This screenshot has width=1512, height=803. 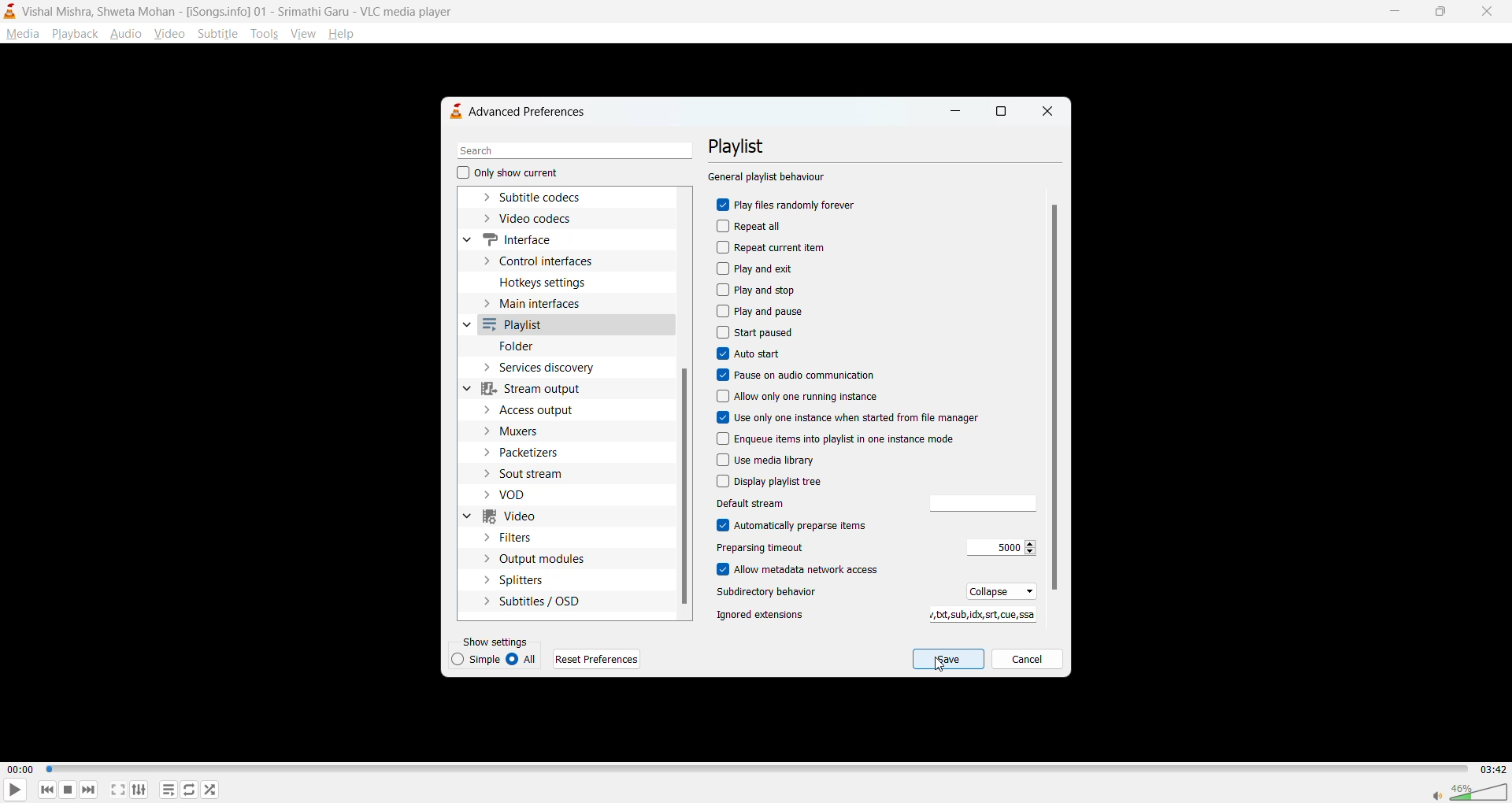 What do you see at coordinates (760, 268) in the screenshot?
I see `play and exit` at bounding box center [760, 268].